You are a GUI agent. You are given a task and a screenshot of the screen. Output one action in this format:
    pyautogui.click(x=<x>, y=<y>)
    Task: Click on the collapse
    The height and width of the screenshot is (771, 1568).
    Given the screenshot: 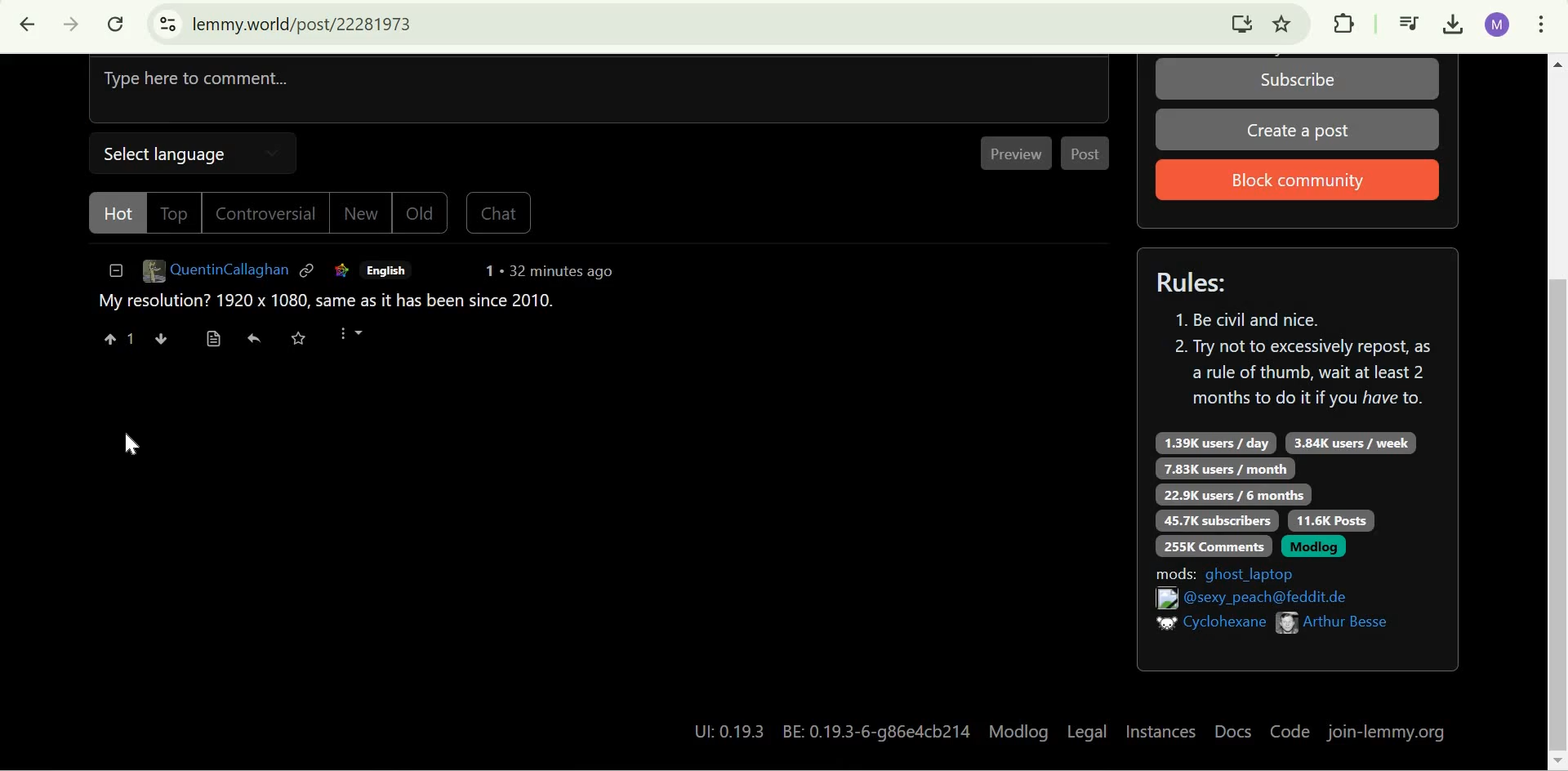 What is the action you would take?
    pyautogui.click(x=115, y=273)
    